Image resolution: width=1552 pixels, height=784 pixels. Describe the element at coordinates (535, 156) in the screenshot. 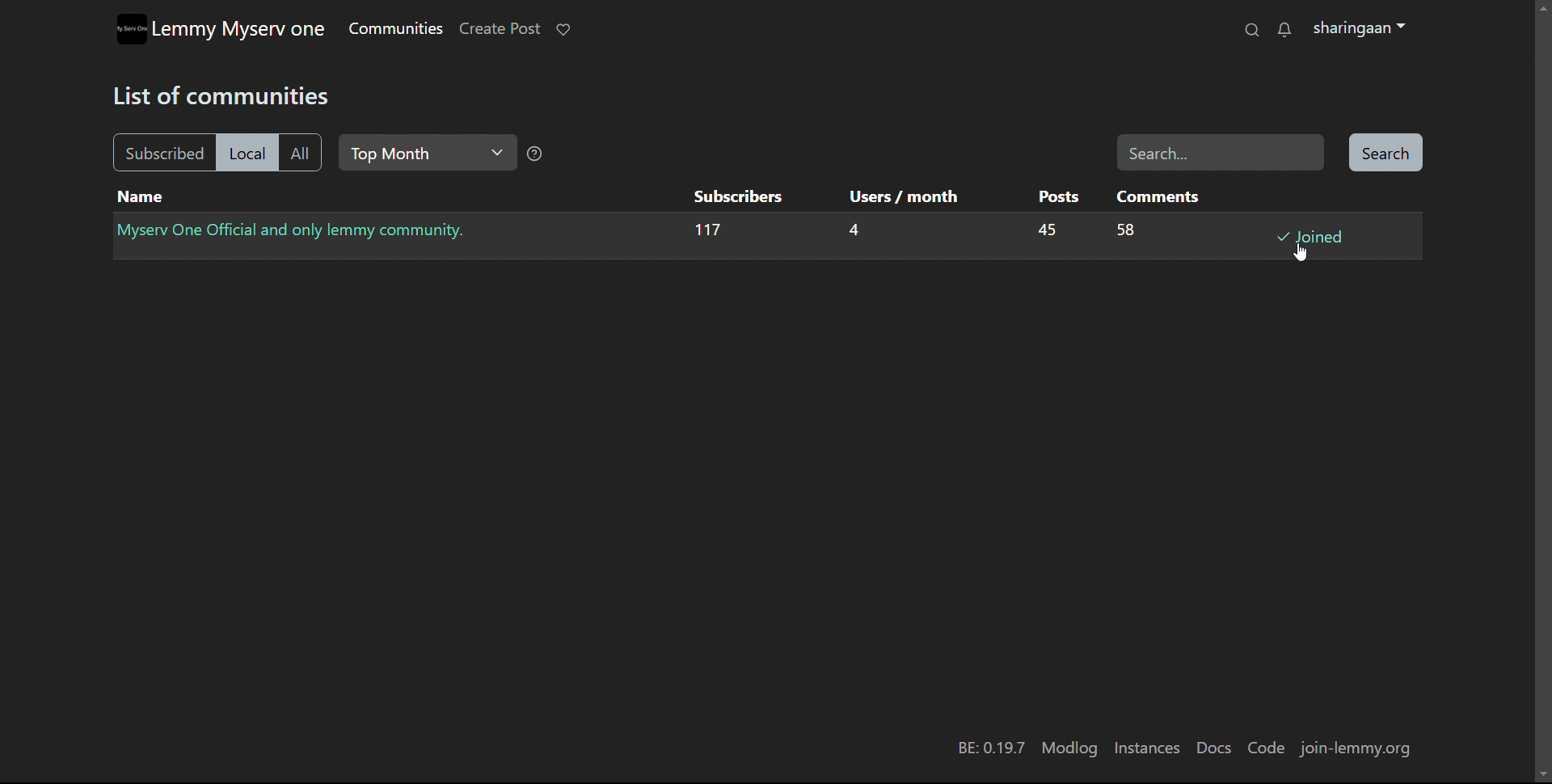

I see `help` at that location.